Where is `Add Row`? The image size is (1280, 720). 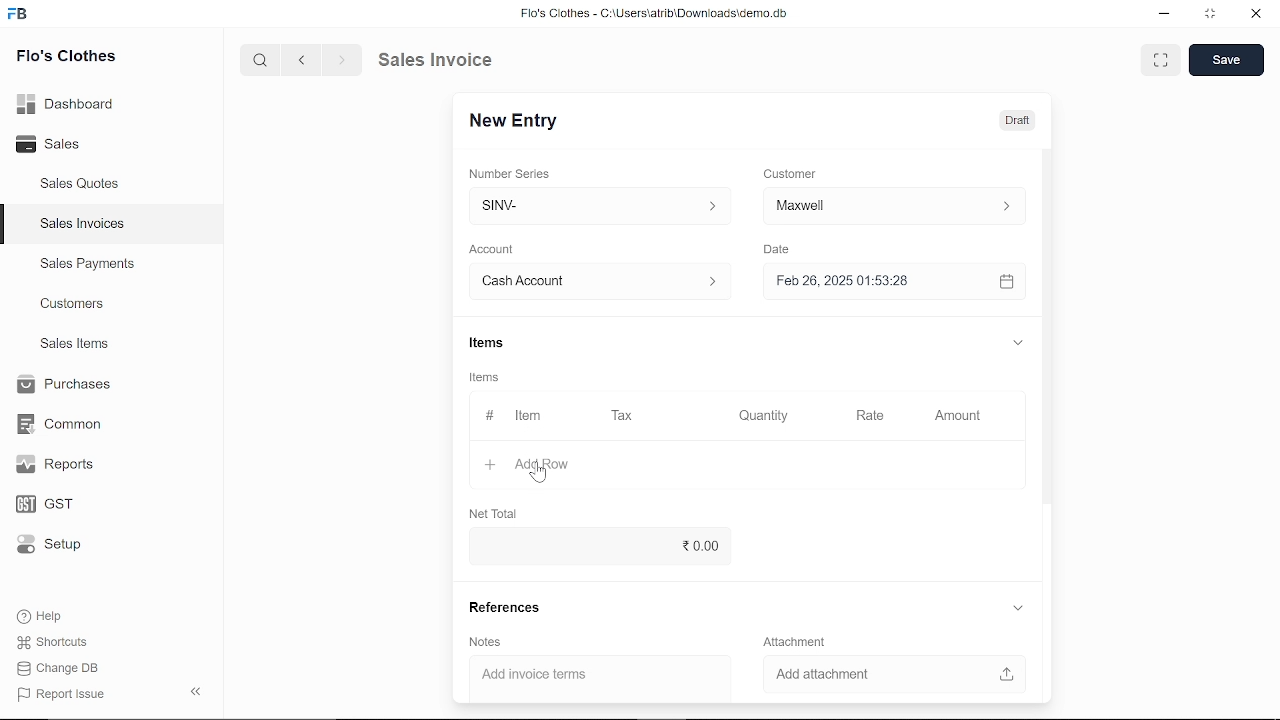 Add Row is located at coordinates (529, 465).